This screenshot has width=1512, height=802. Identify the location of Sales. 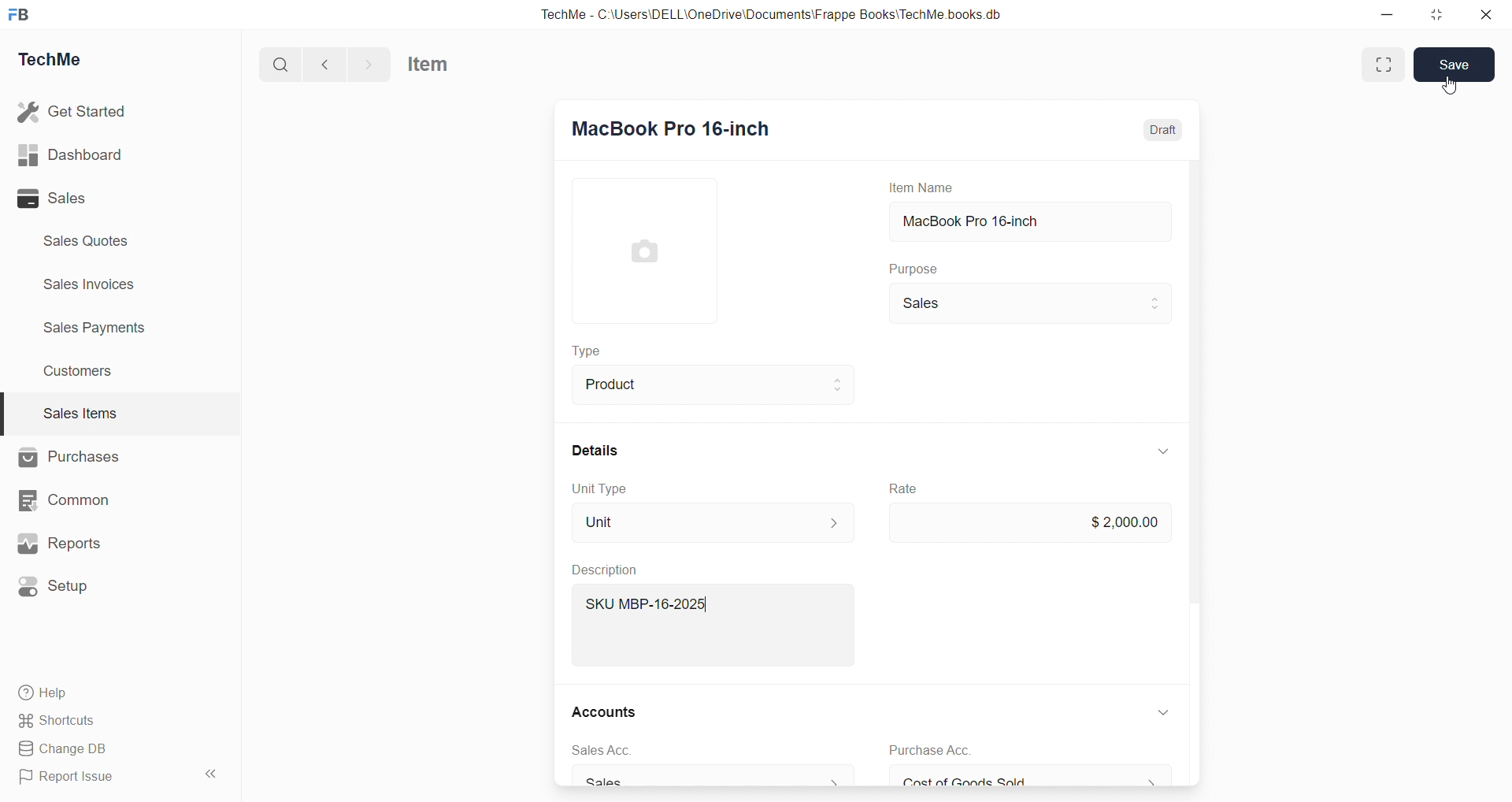
(1028, 304).